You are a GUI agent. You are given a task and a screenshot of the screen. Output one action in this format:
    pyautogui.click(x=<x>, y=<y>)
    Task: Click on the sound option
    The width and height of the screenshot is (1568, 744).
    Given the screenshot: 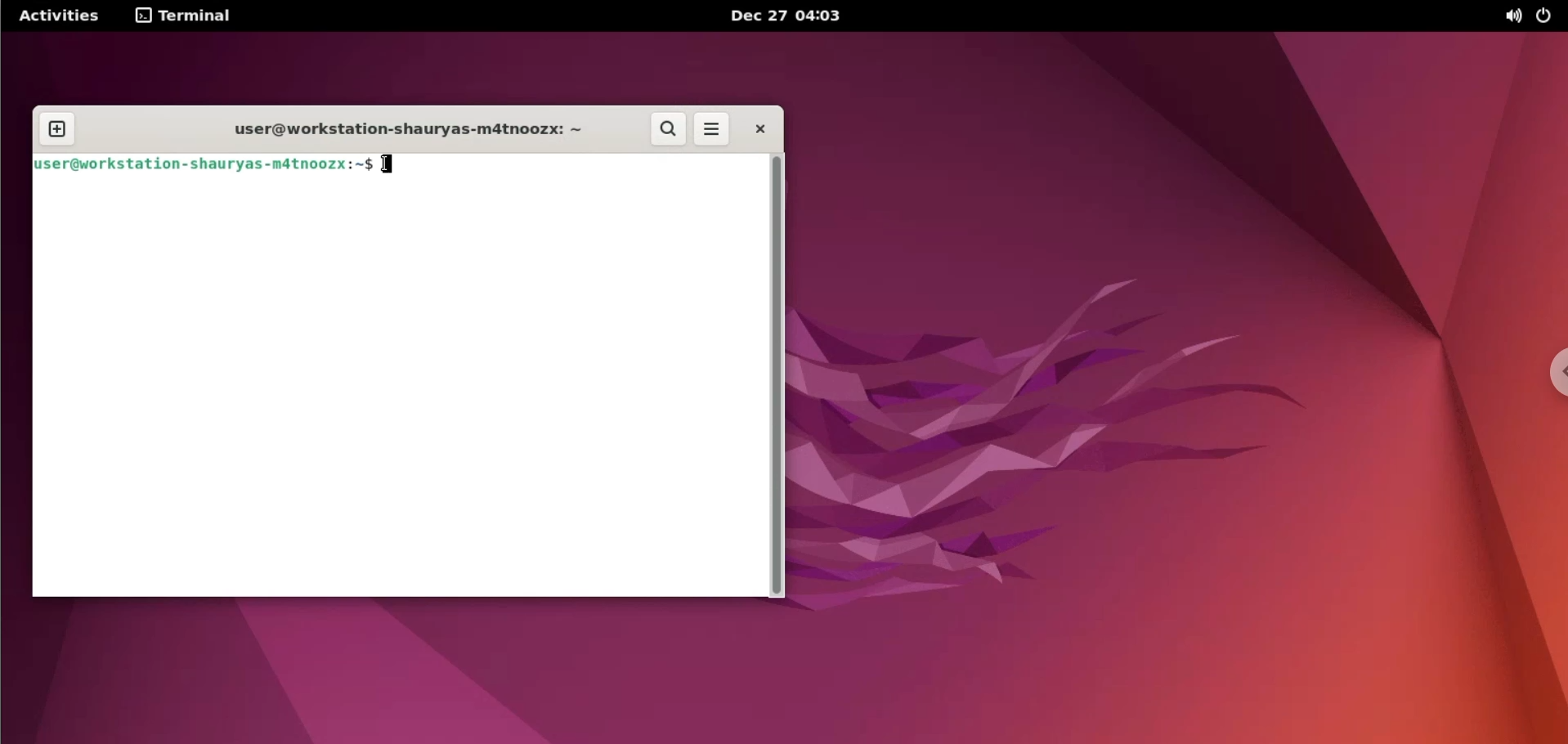 What is the action you would take?
    pyautogui.click(x=1505, y=16)
    